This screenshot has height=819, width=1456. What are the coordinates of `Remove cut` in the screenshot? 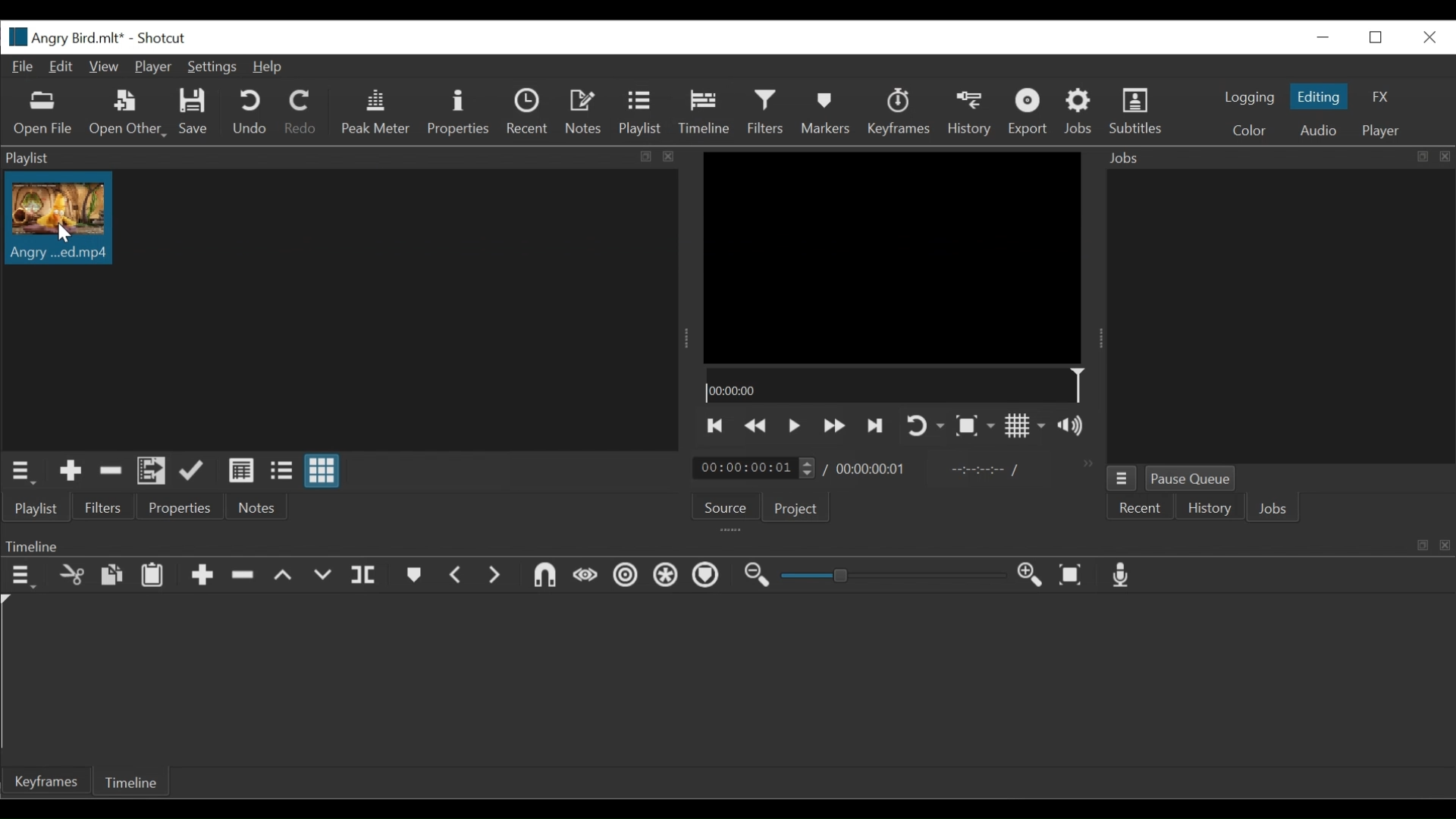 It's located at (243, 573).